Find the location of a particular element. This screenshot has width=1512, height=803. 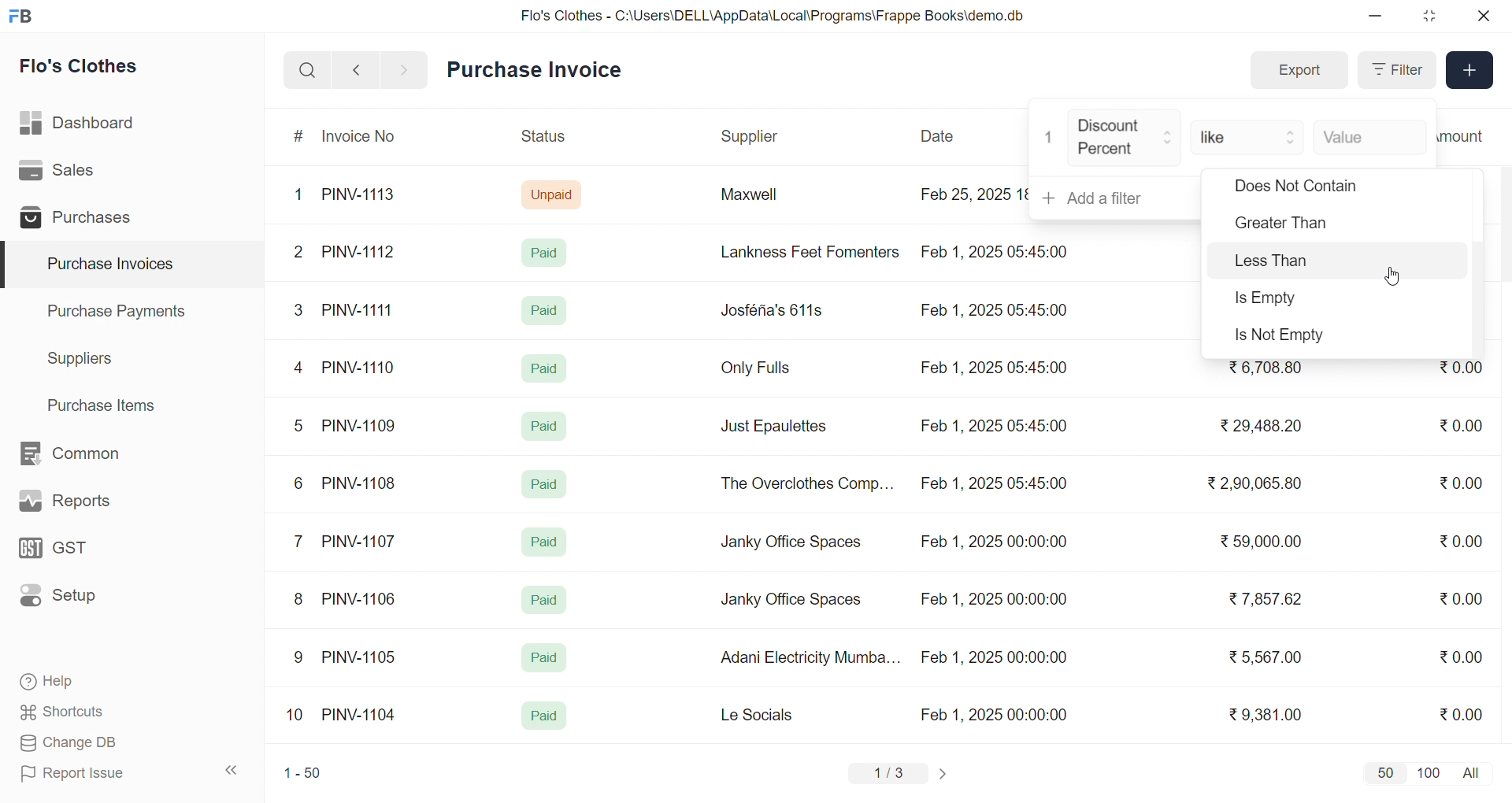

Paid is located at coordinates (548, 252).